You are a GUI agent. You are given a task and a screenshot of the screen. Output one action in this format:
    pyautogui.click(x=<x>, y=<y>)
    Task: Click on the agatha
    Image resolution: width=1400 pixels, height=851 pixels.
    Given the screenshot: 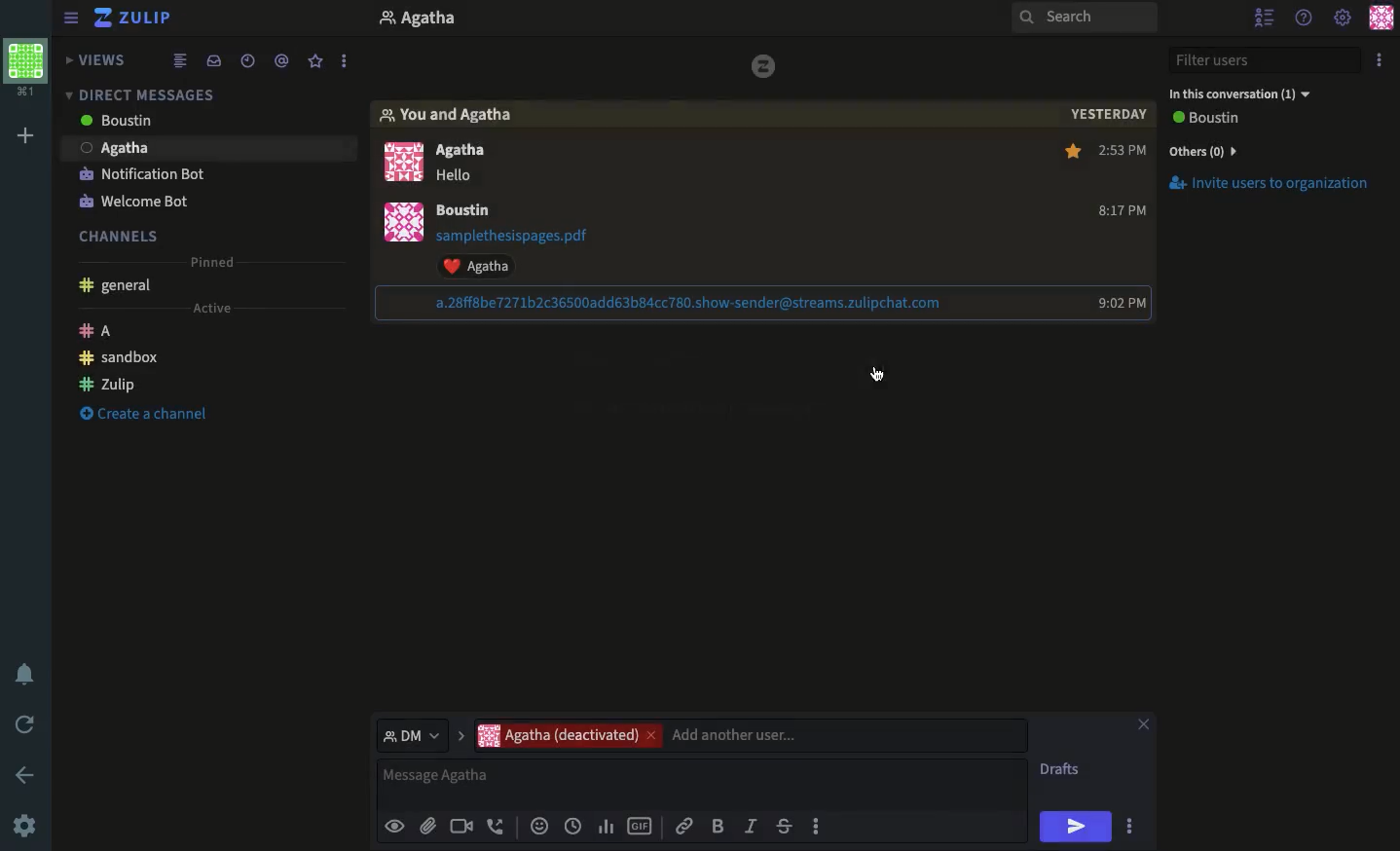 What is the action you would take?
    pyautogui.click(x=206, y=148)
    